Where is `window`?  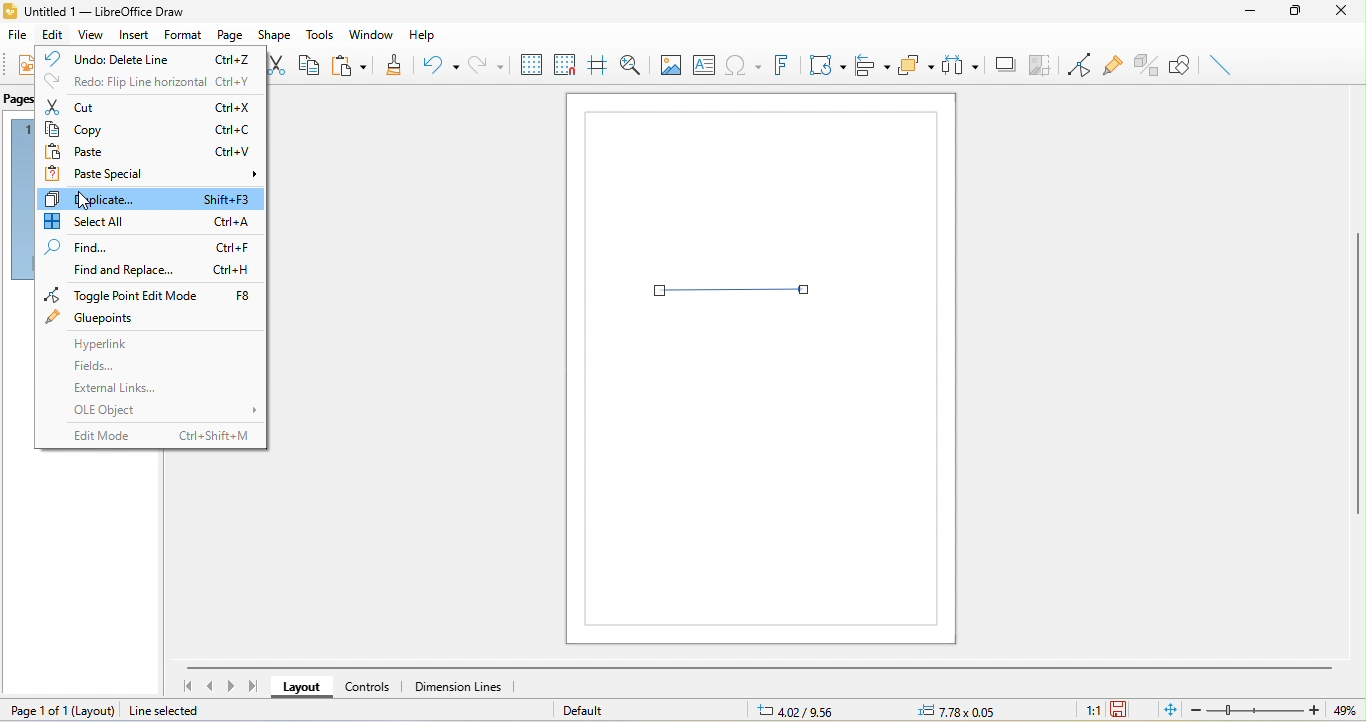
window is located at coordinates (371, 33).